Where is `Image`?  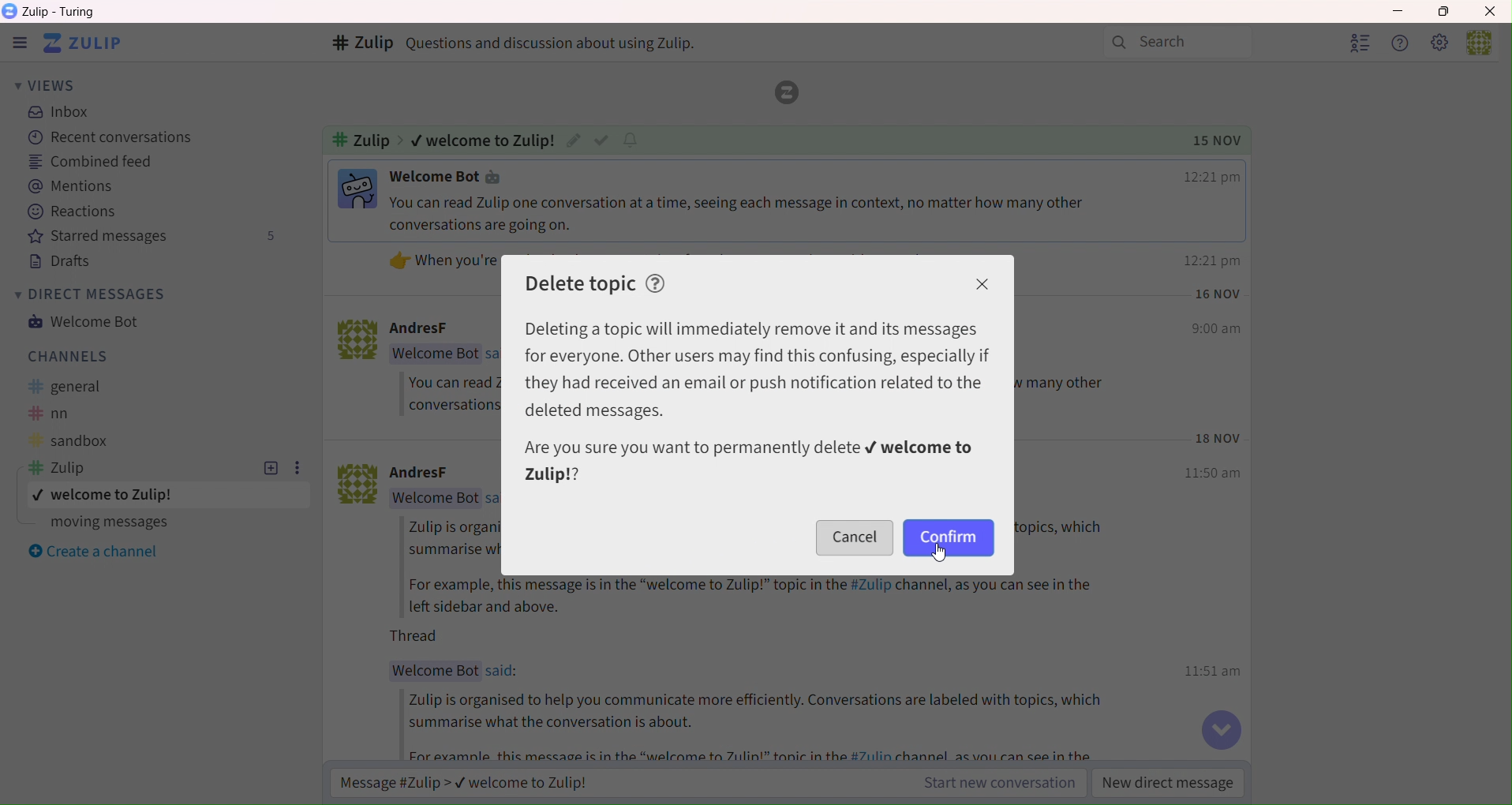
Image is located at coordinates (356, 484).